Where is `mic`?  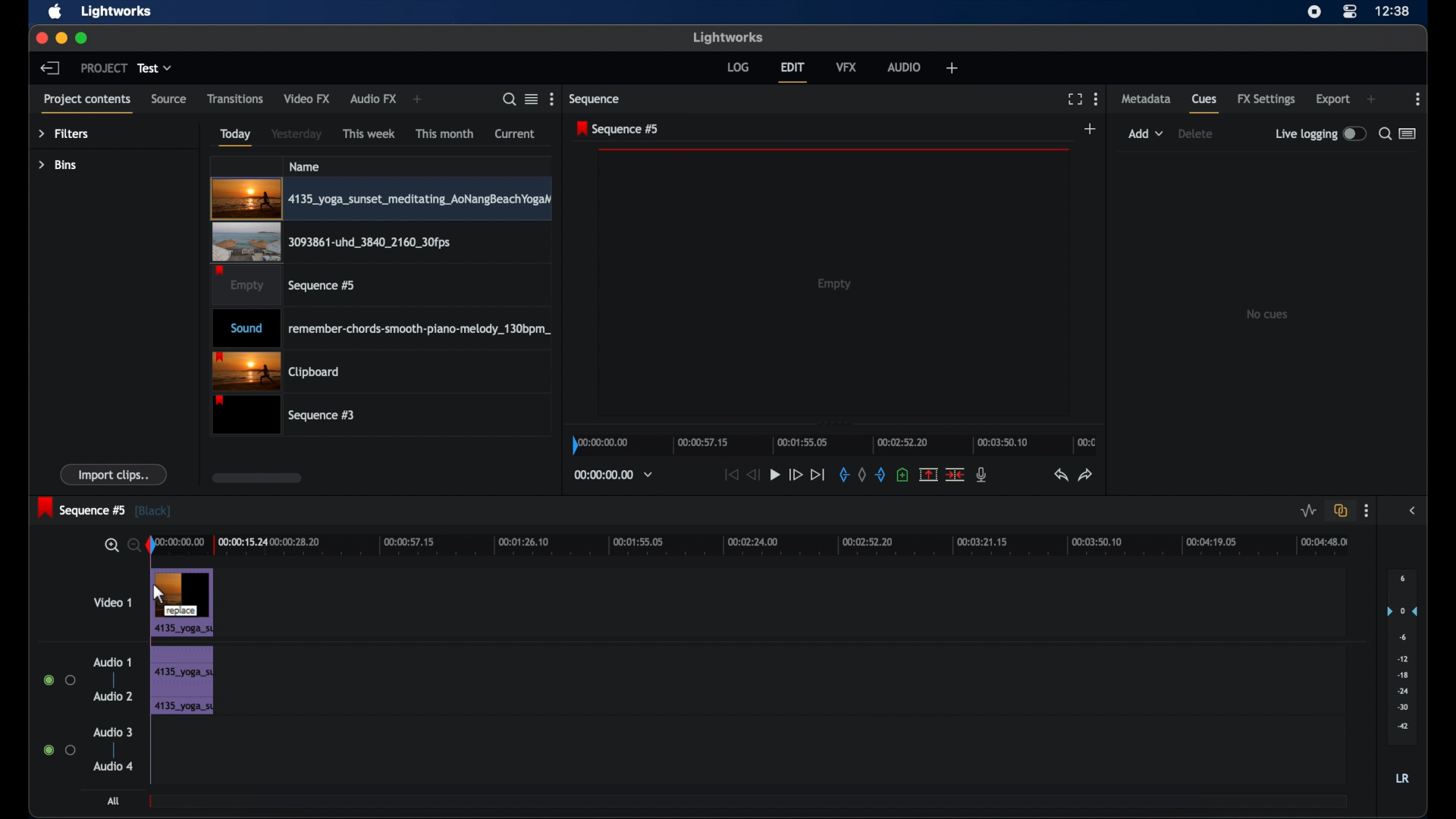
mic is located at coordinates (983, 475).